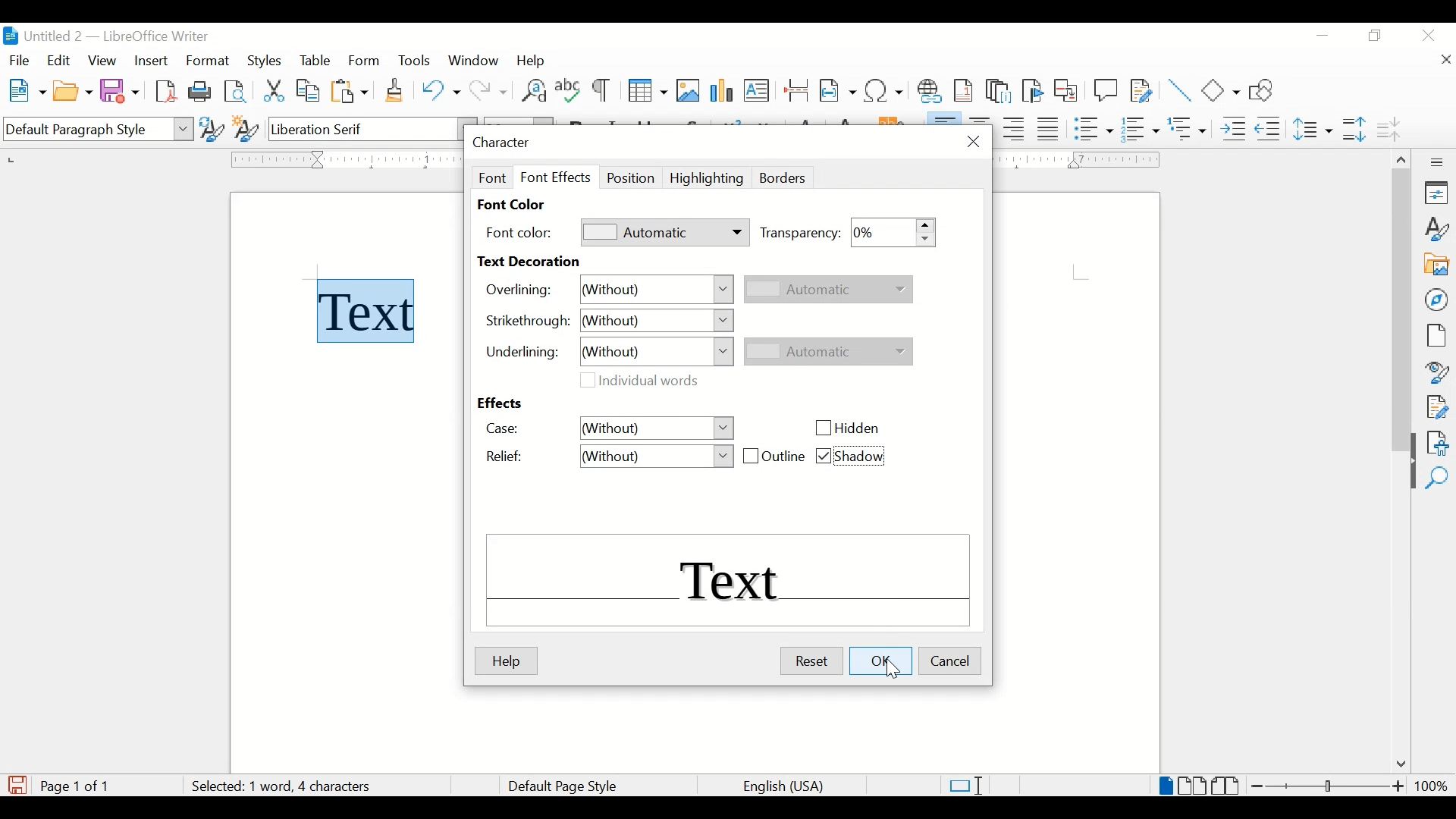  I want to click on drag handle, so click(1407, 475).